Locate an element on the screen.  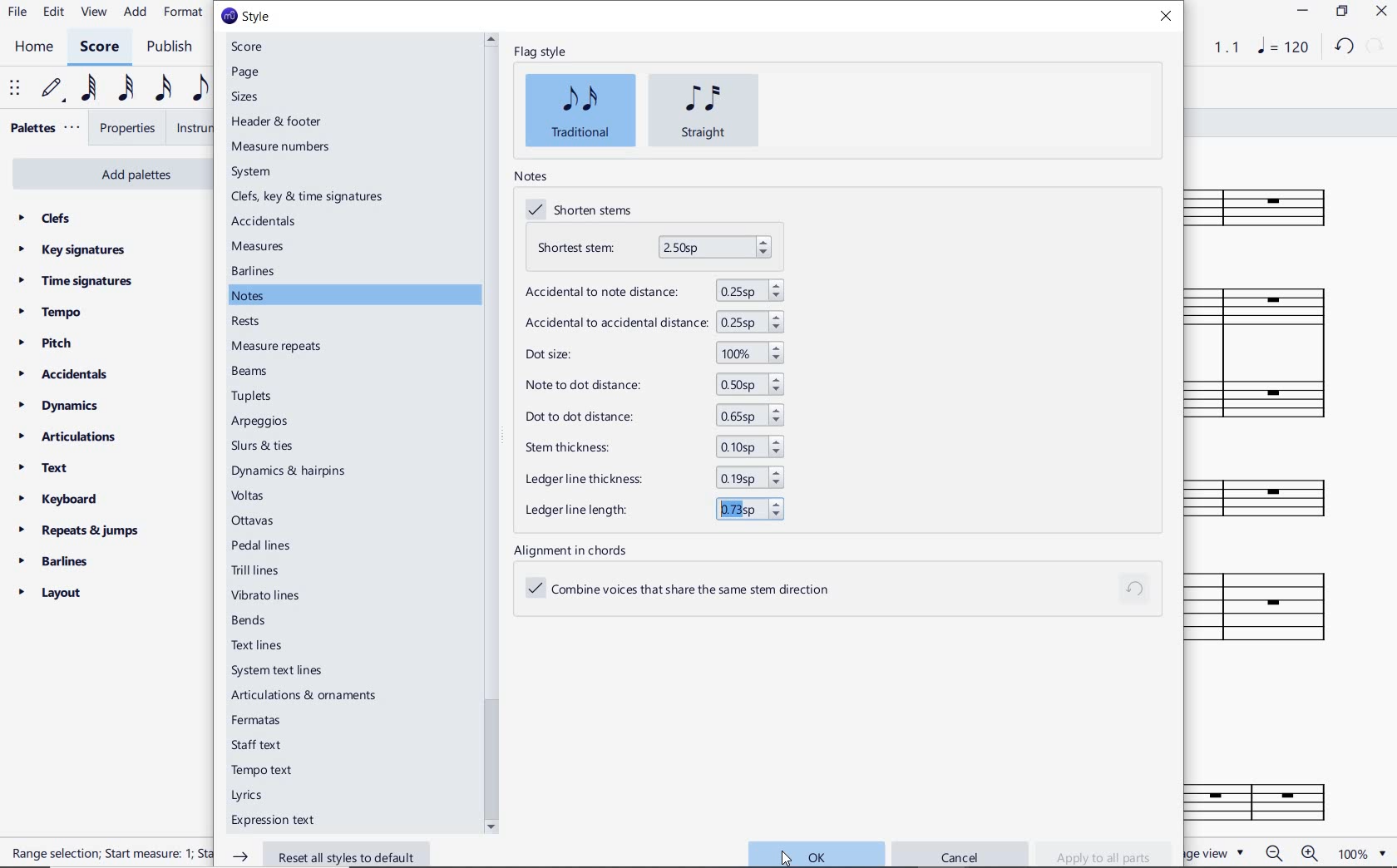
measure numbers is located at coordinates (284, 147).